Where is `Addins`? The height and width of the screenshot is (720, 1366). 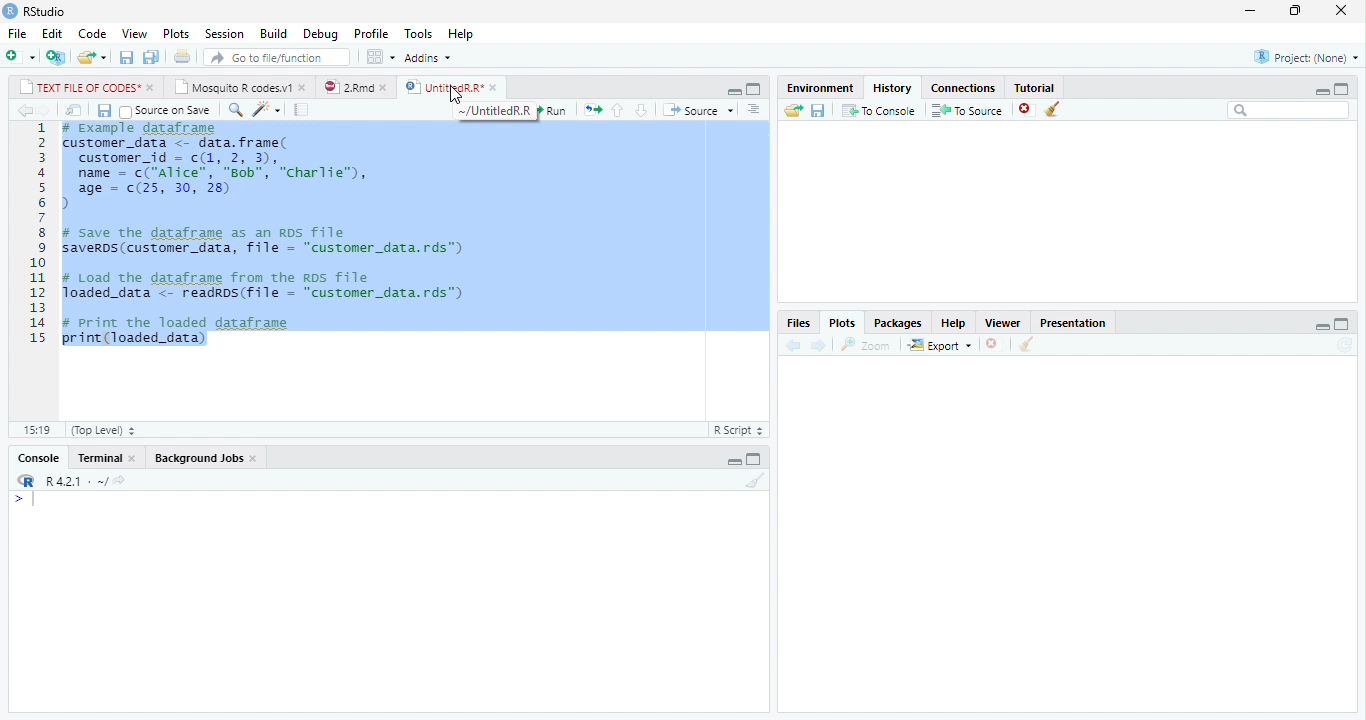 Addins is located at coordinates (428, 58).